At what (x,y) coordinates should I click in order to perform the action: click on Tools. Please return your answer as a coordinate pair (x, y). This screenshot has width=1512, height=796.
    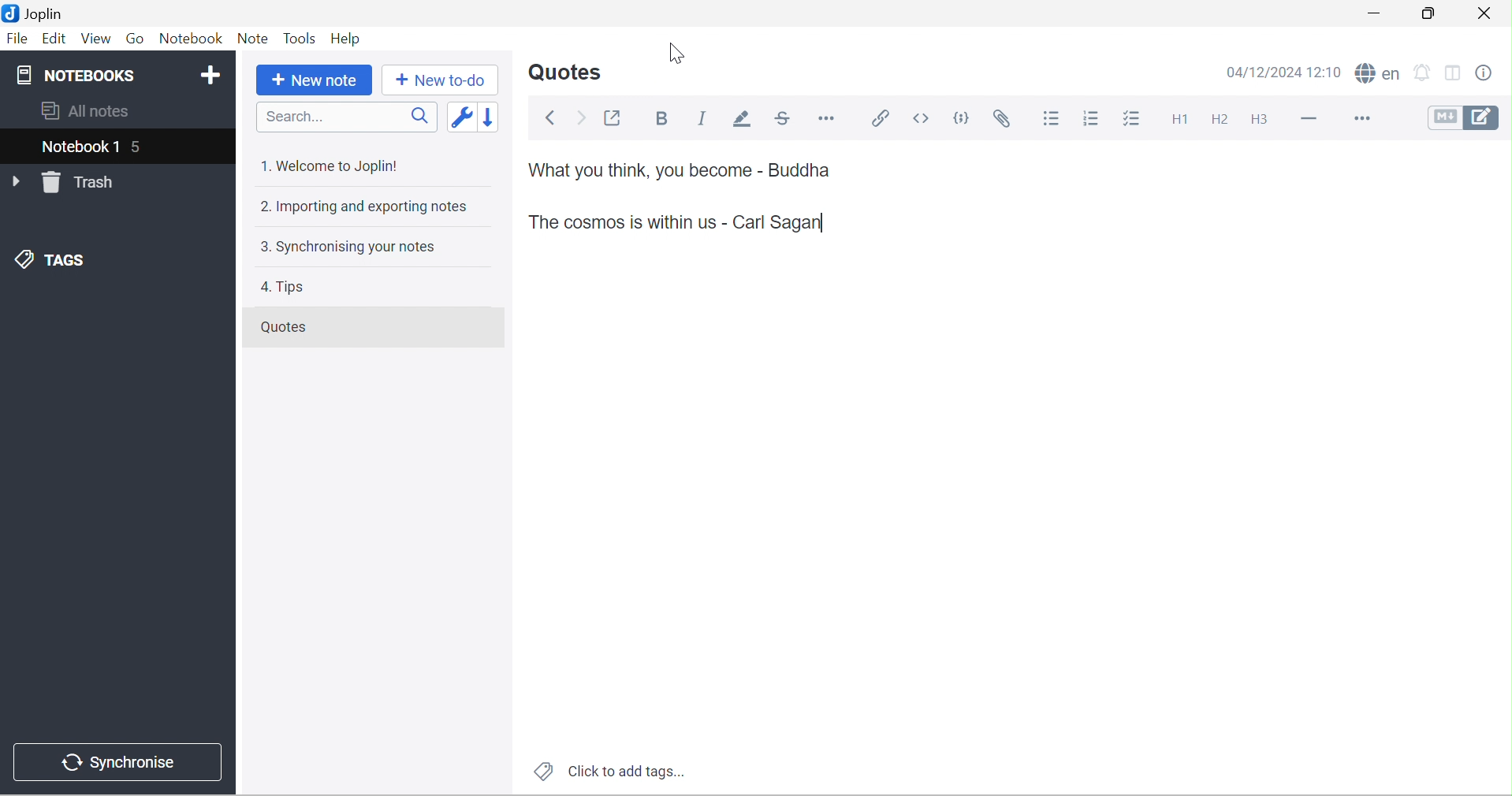
    Looking at the image, I should click on (301, 38).